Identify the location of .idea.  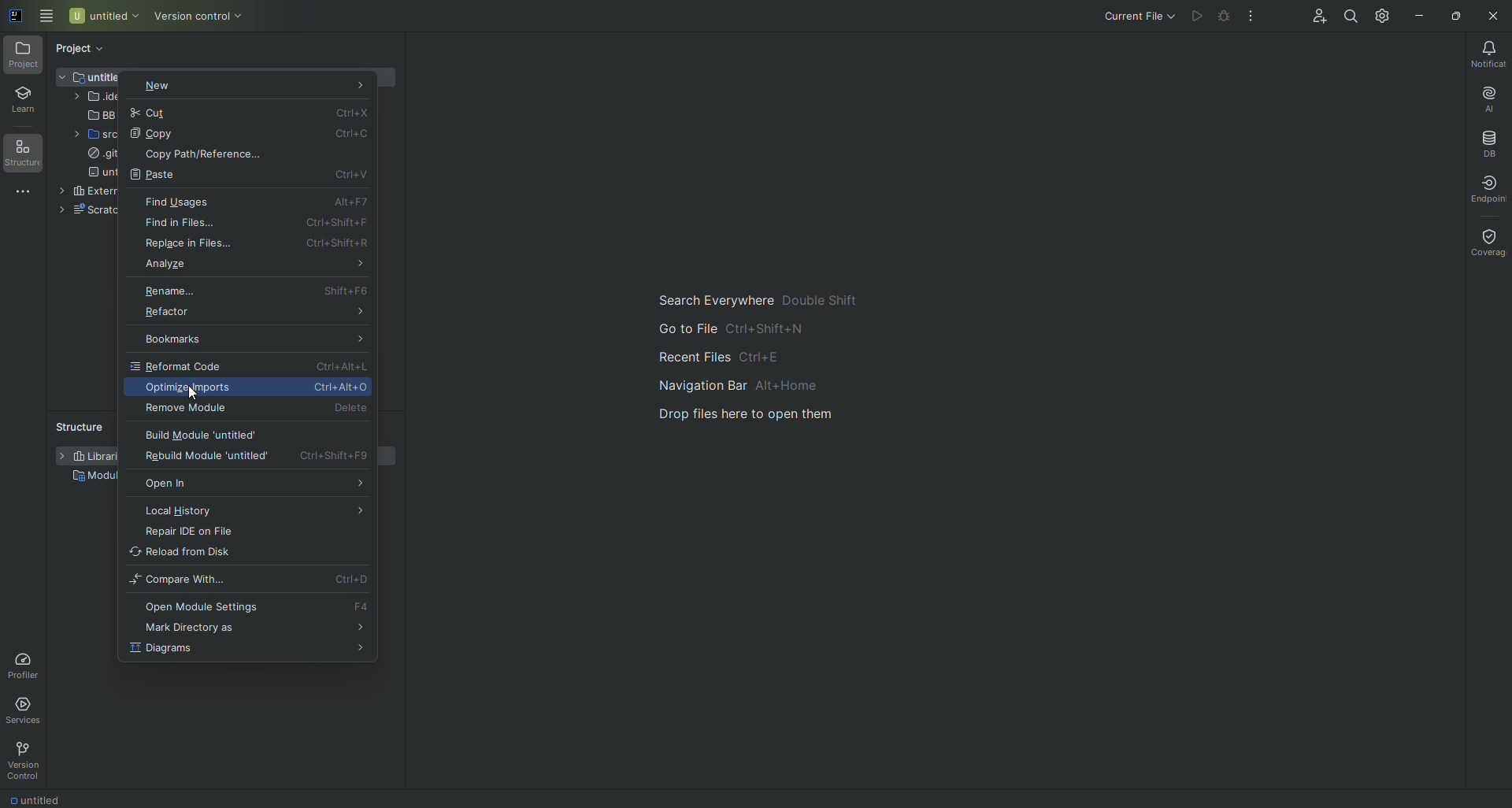
(96, 98).